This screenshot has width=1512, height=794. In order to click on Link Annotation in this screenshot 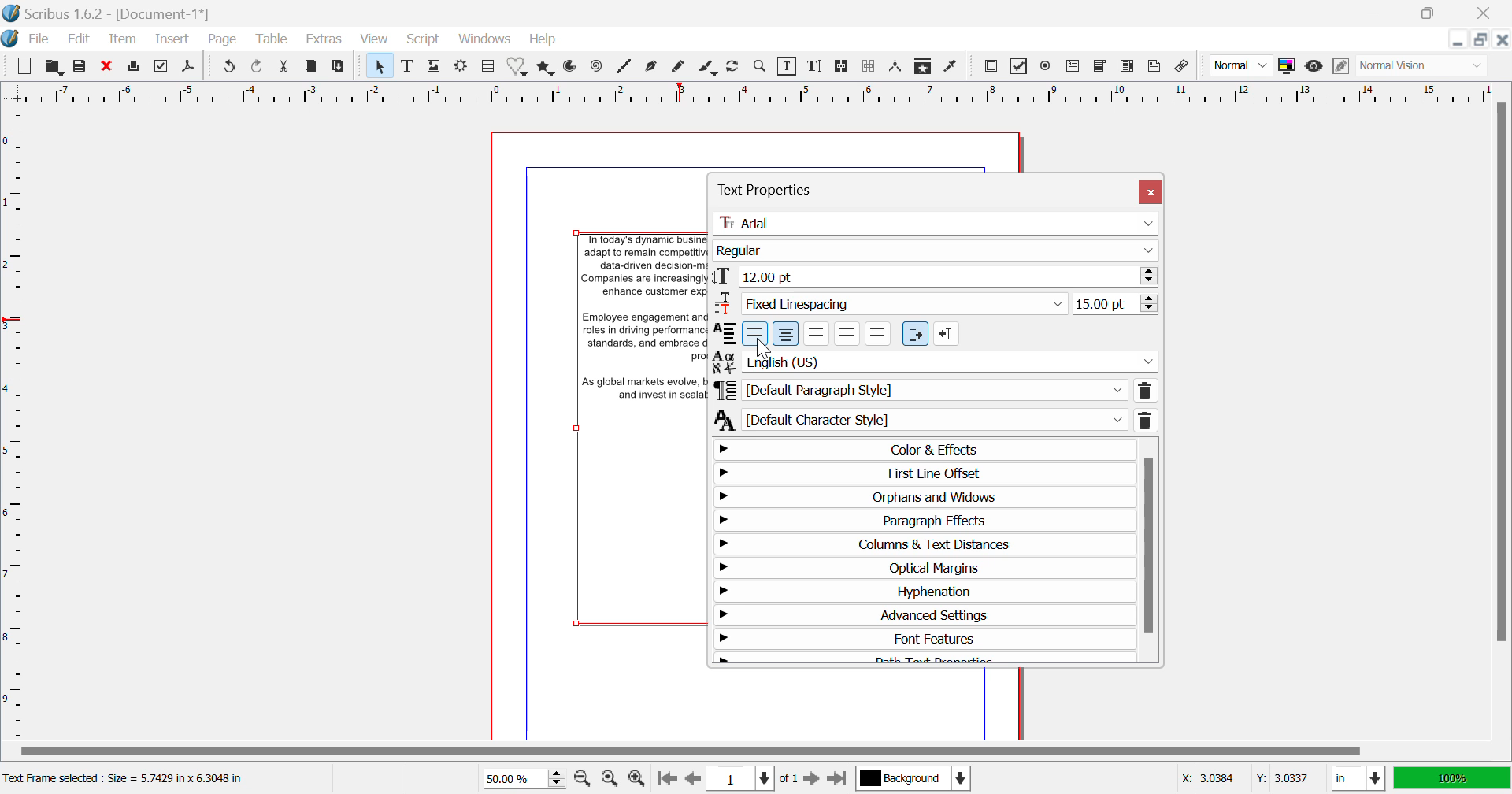, I will do `click(1184, 68)`.